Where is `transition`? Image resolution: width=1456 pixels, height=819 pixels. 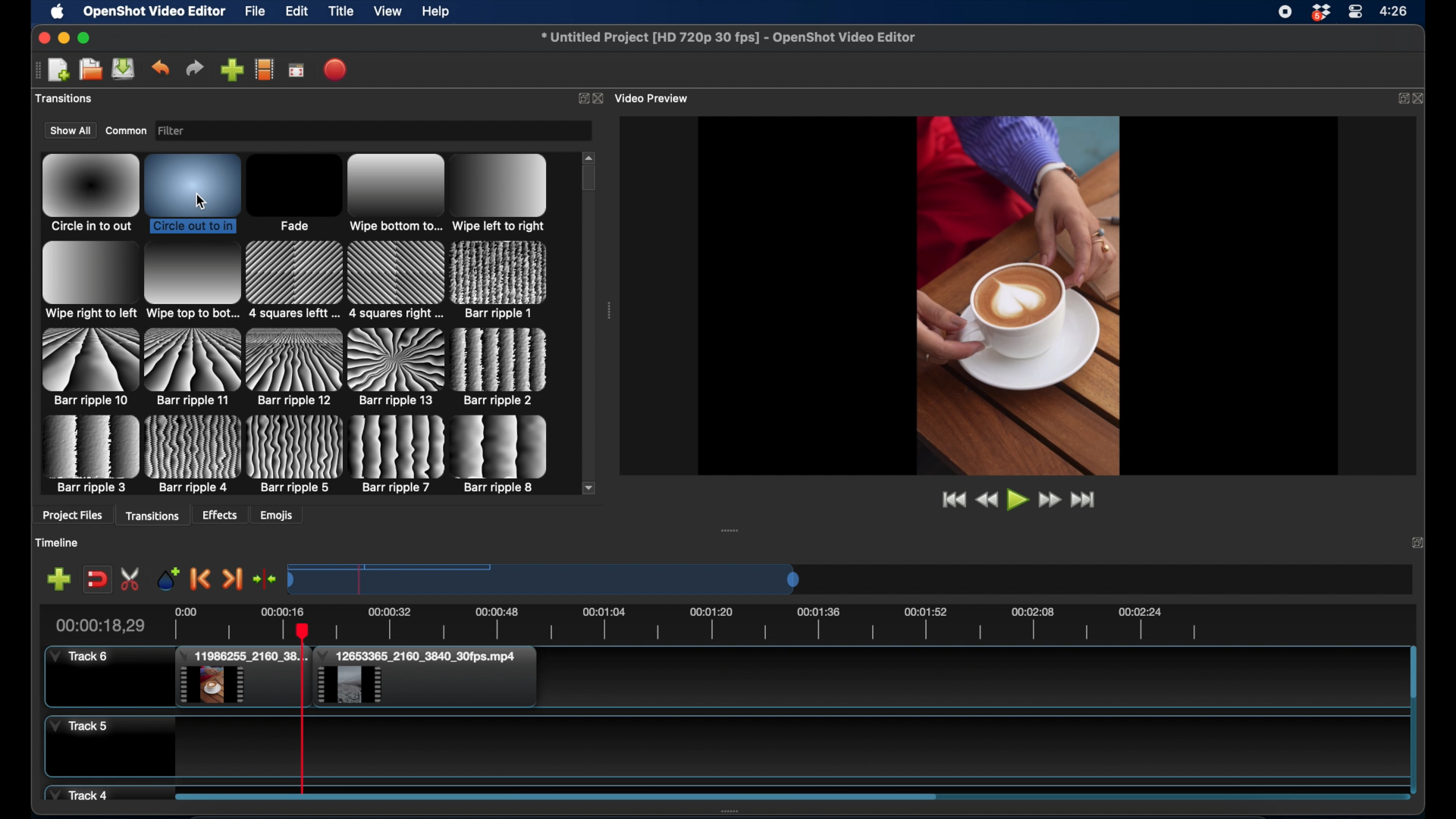
transition is located at coordinates (500, 367).